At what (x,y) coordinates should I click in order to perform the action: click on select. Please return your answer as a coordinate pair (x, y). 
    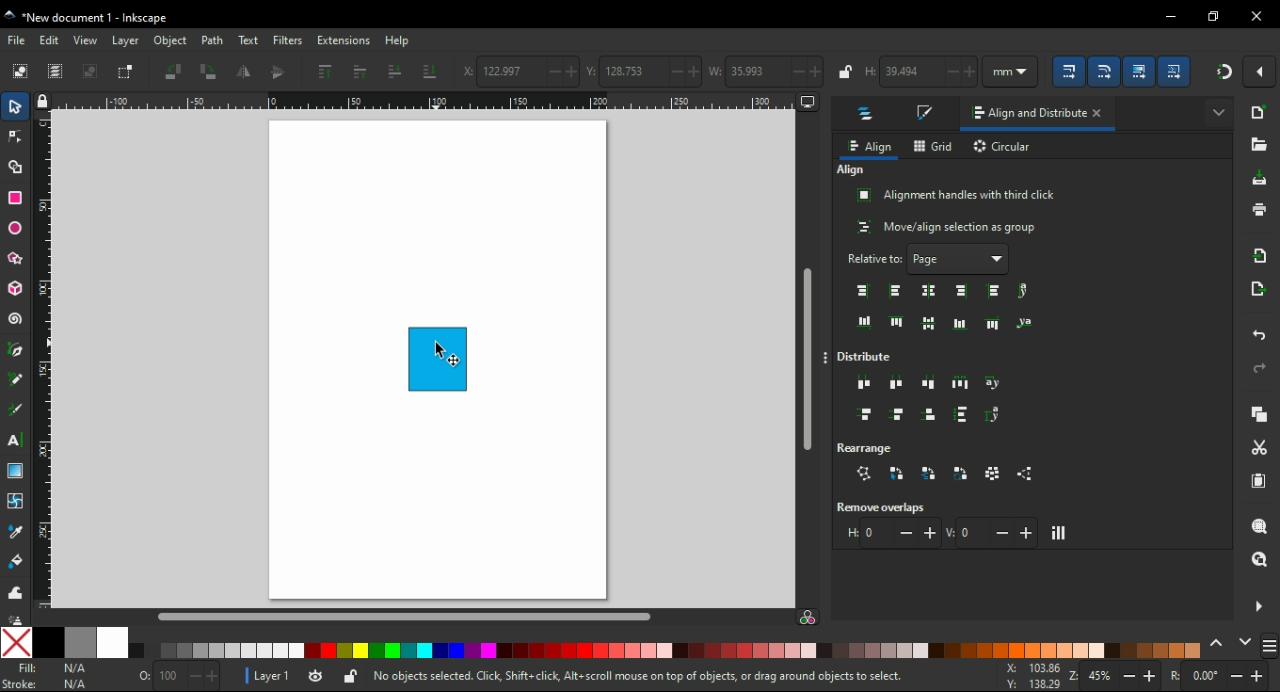
    Looking at the image, I should click on (17, 107).